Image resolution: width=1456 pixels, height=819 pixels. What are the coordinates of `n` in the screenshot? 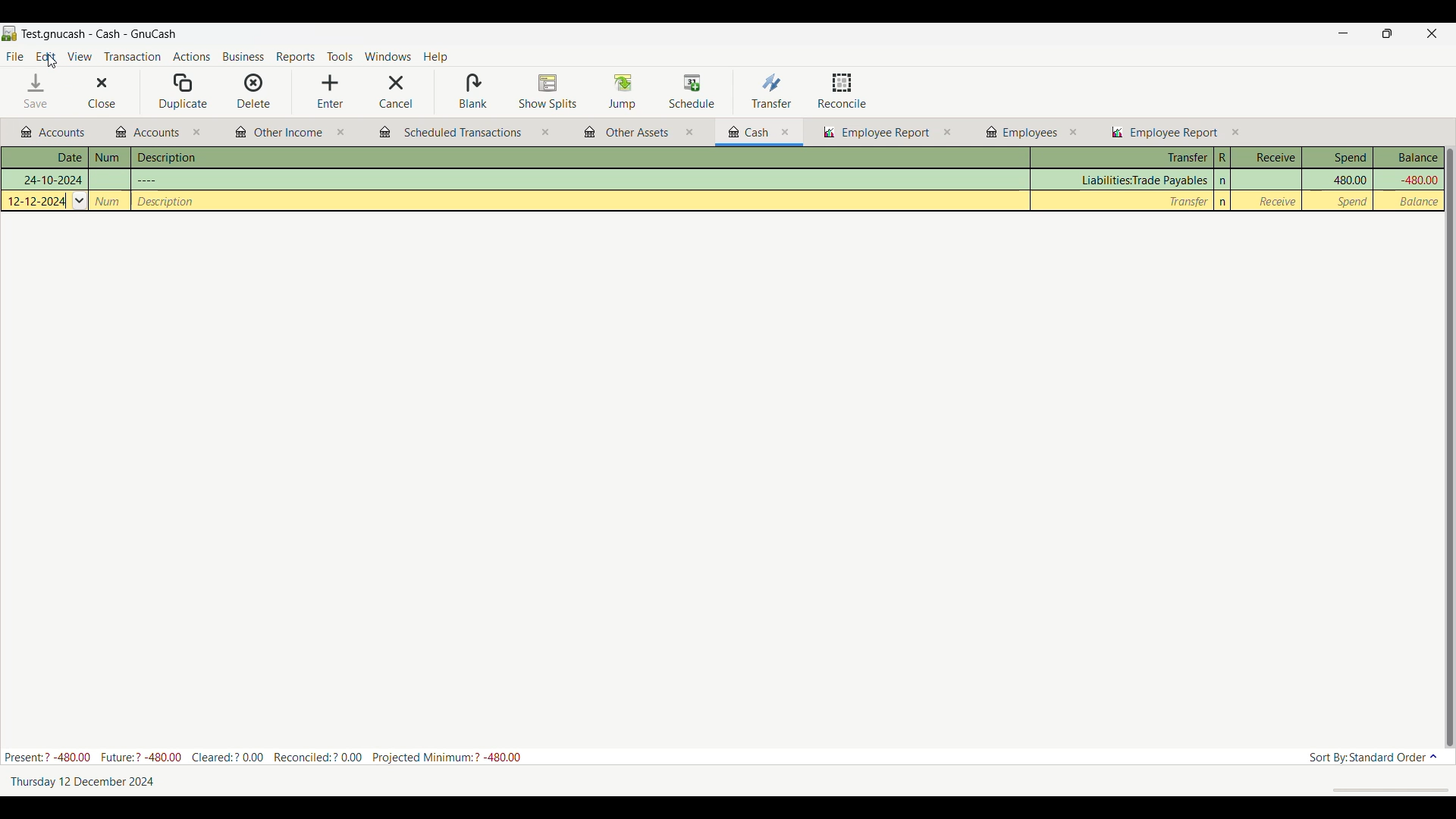 It's located at (1223, 202).